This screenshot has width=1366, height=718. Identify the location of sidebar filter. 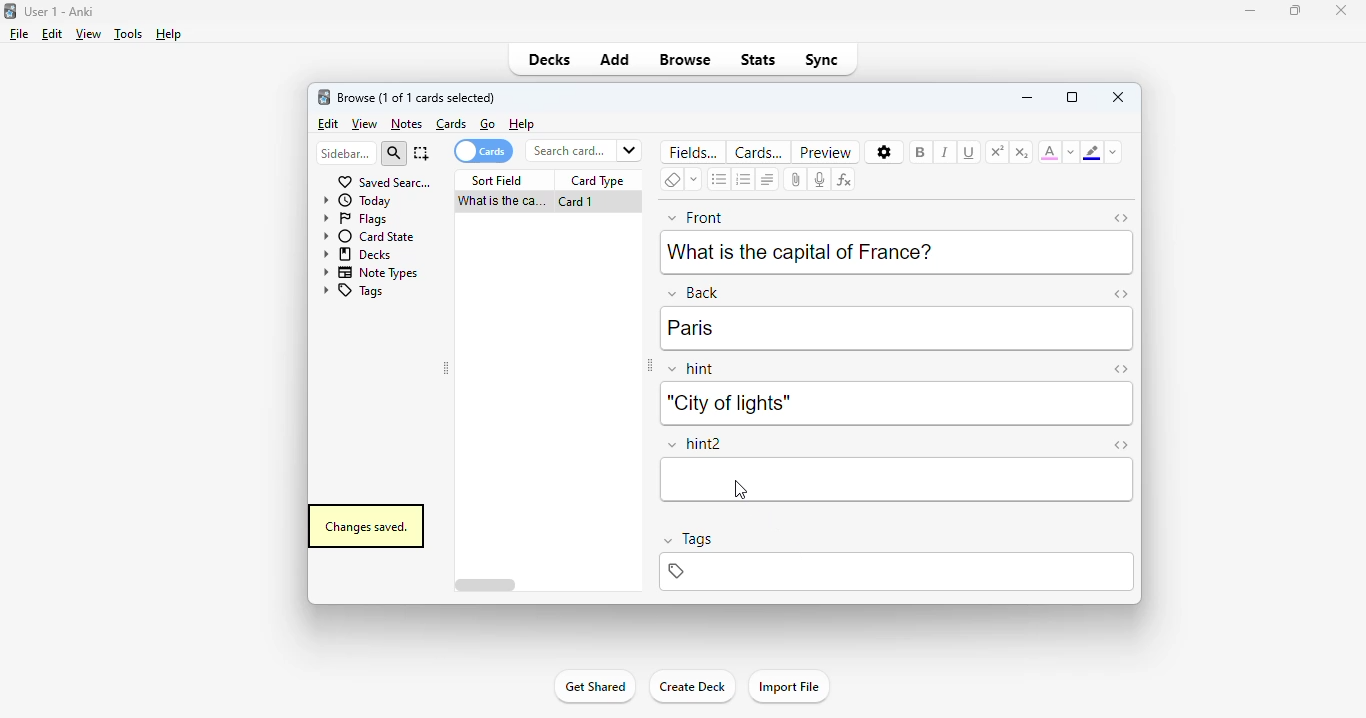
(346, 153).